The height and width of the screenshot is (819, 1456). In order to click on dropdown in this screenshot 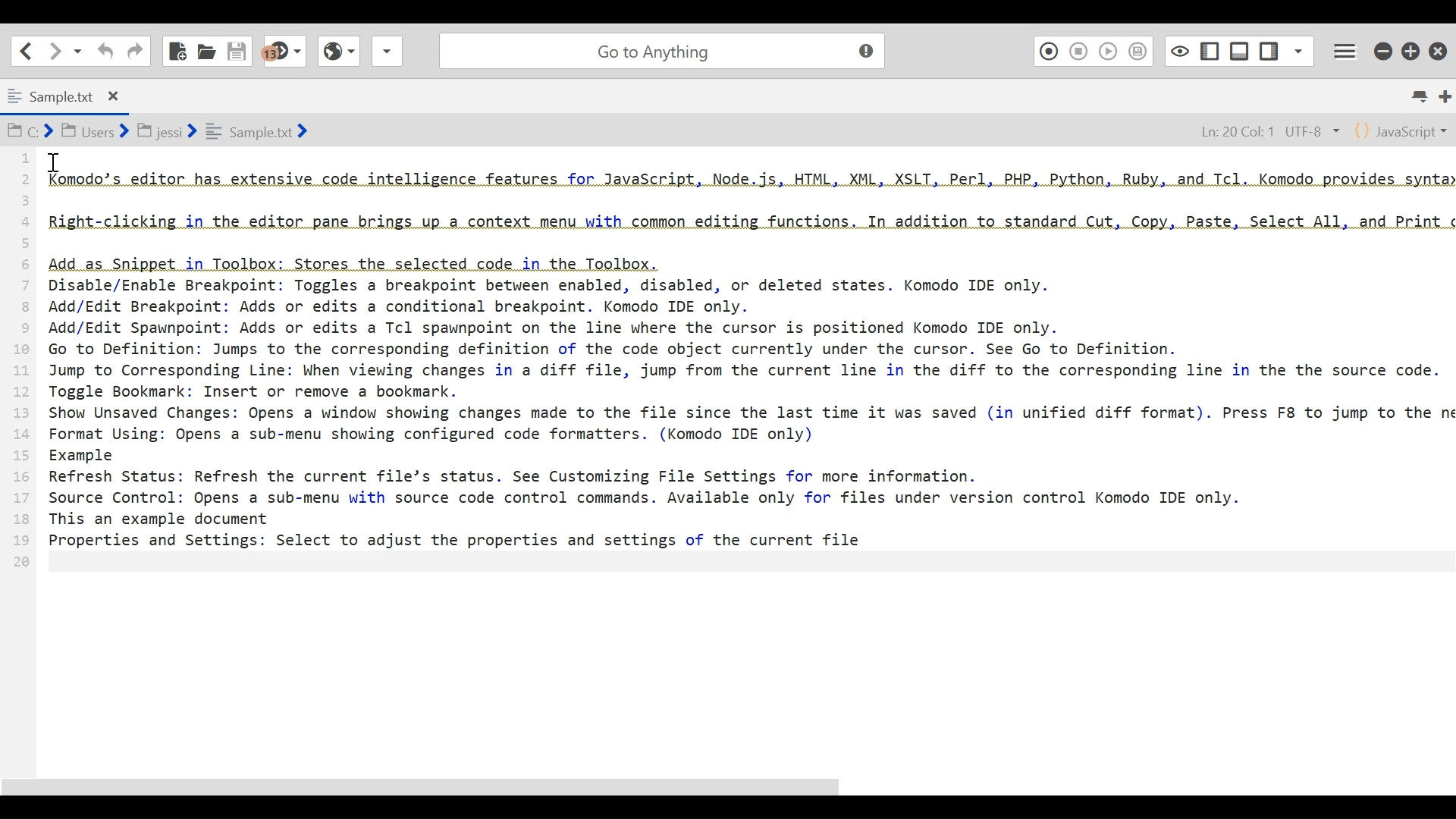, I will do `click(387, 55)`.